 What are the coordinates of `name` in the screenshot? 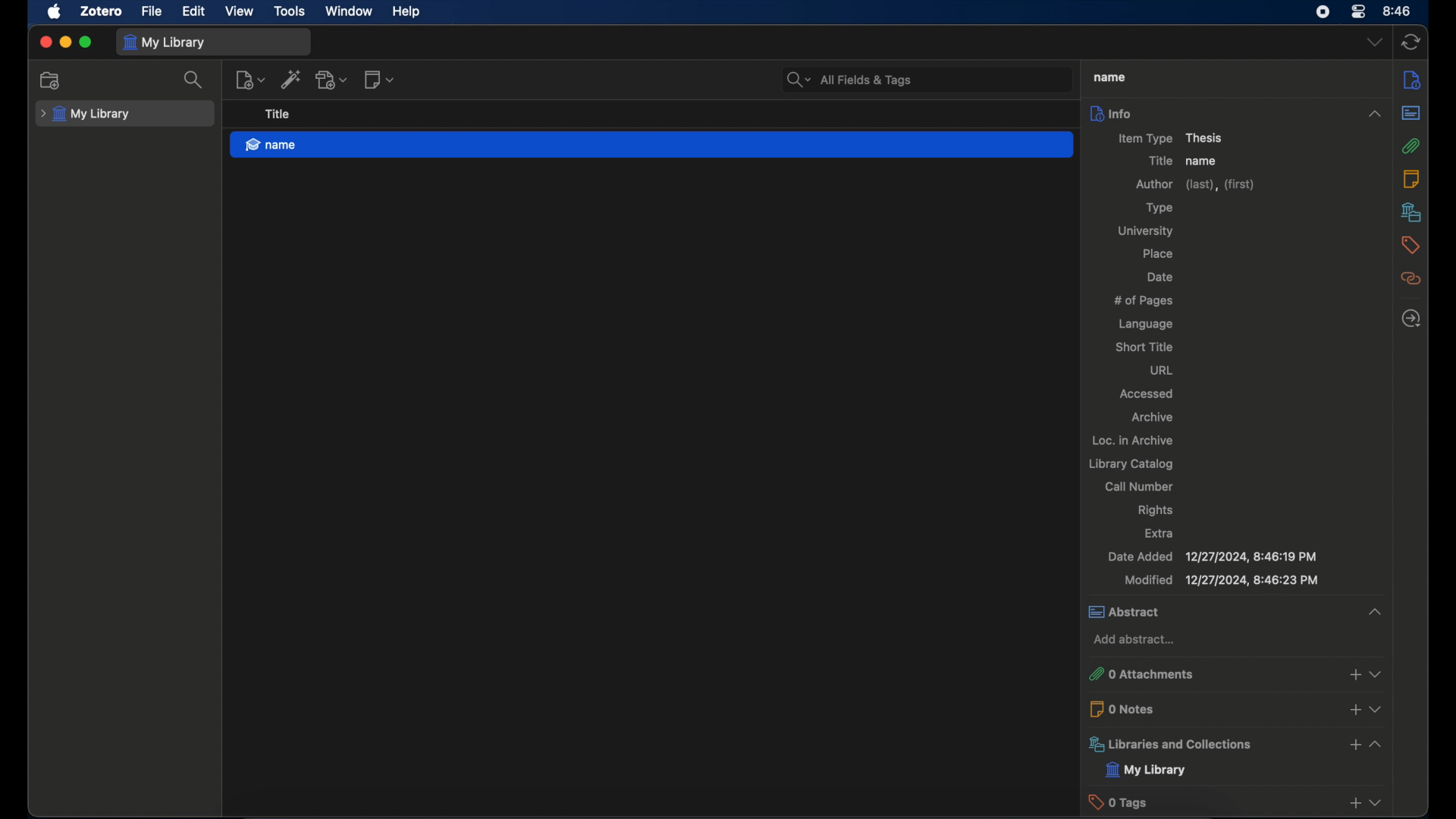 It's located at (652, 145).